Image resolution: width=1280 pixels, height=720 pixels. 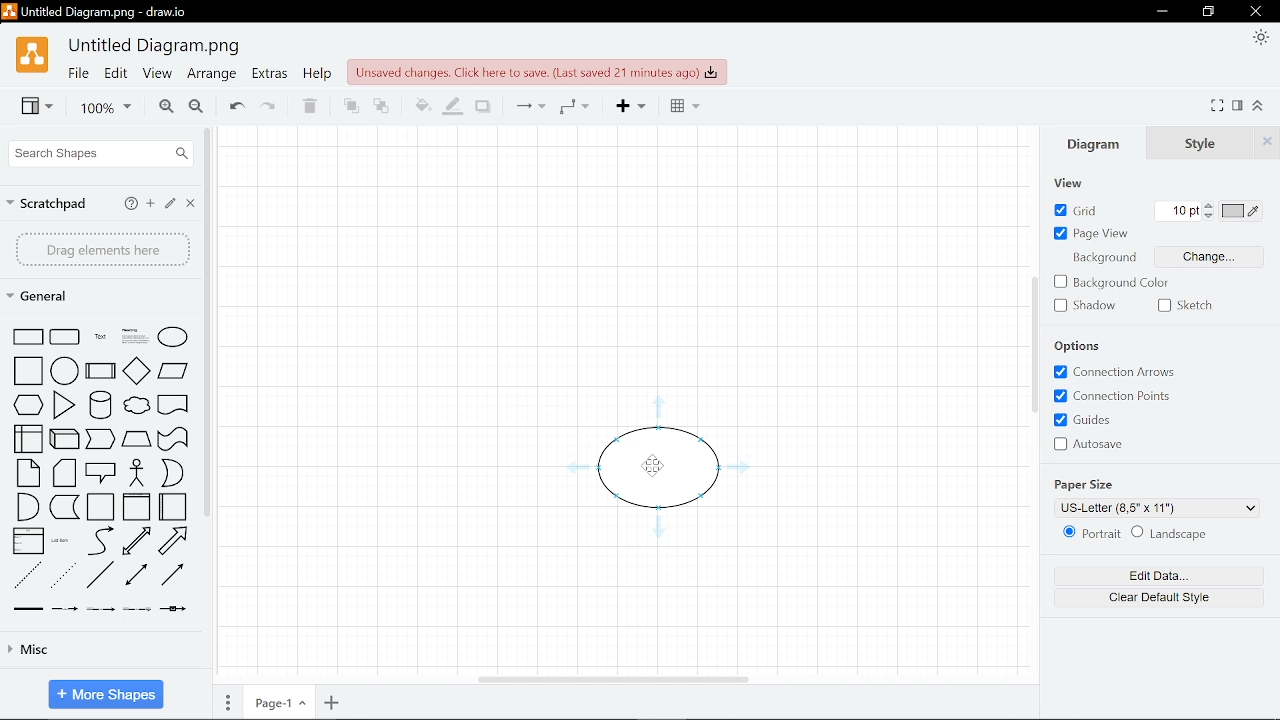 What do you see at coordinates (1093, 234) in the screenshot?
I see `Page view` at bounding box center [1093, 234].